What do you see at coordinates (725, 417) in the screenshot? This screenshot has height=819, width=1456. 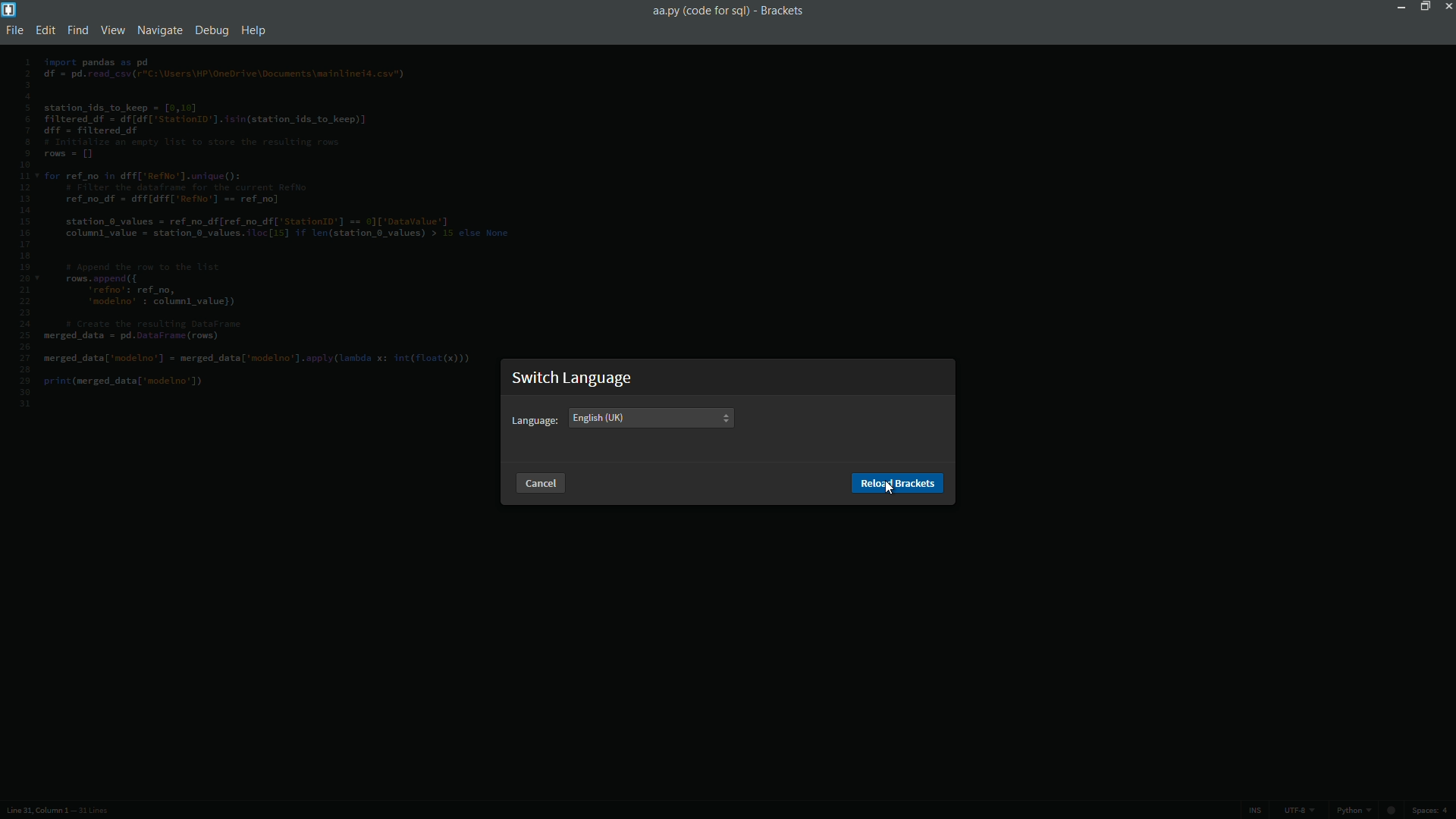 I see `` at bounding box center [725, 417].